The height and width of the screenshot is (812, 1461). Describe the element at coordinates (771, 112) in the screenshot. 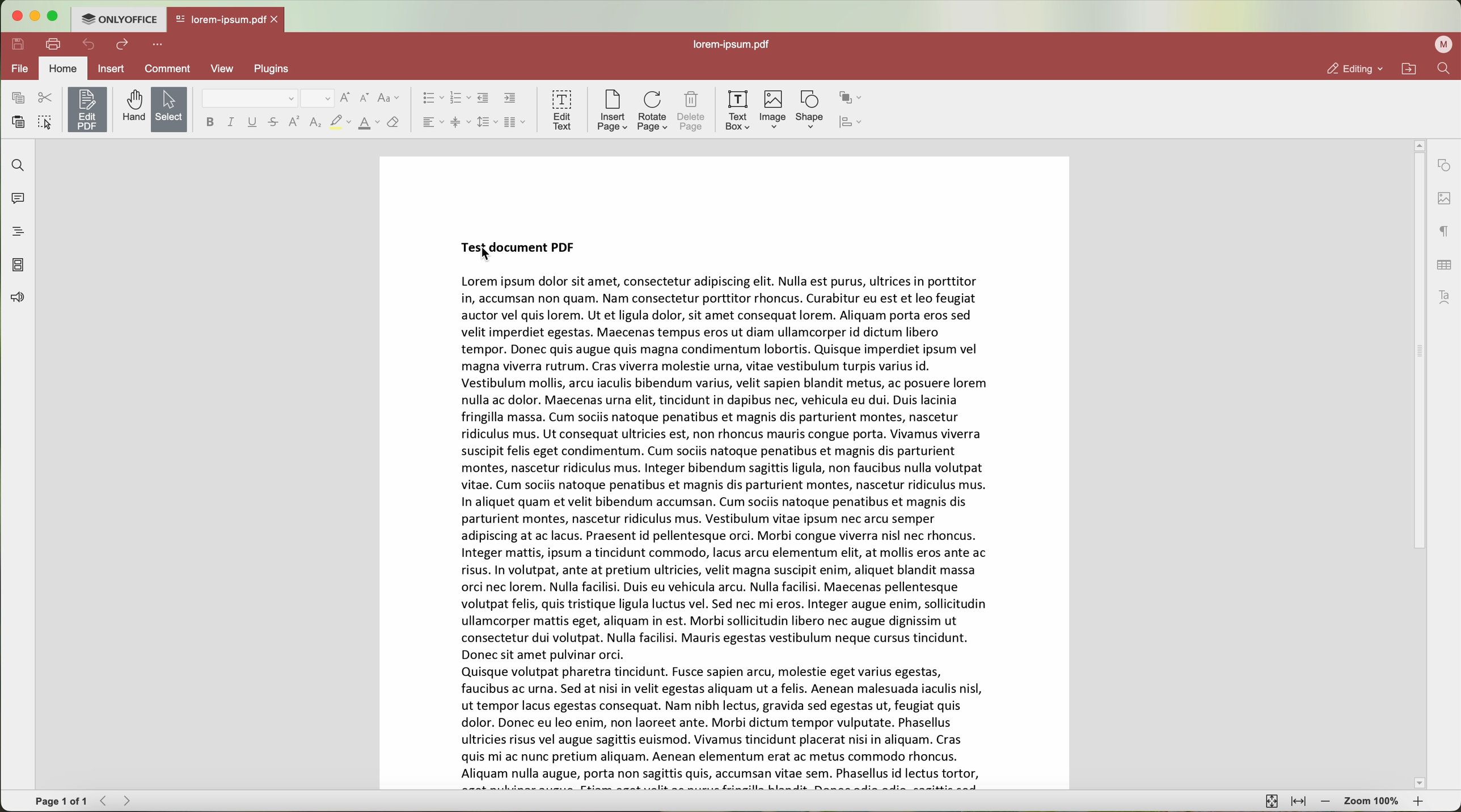

I see `image` at that location.